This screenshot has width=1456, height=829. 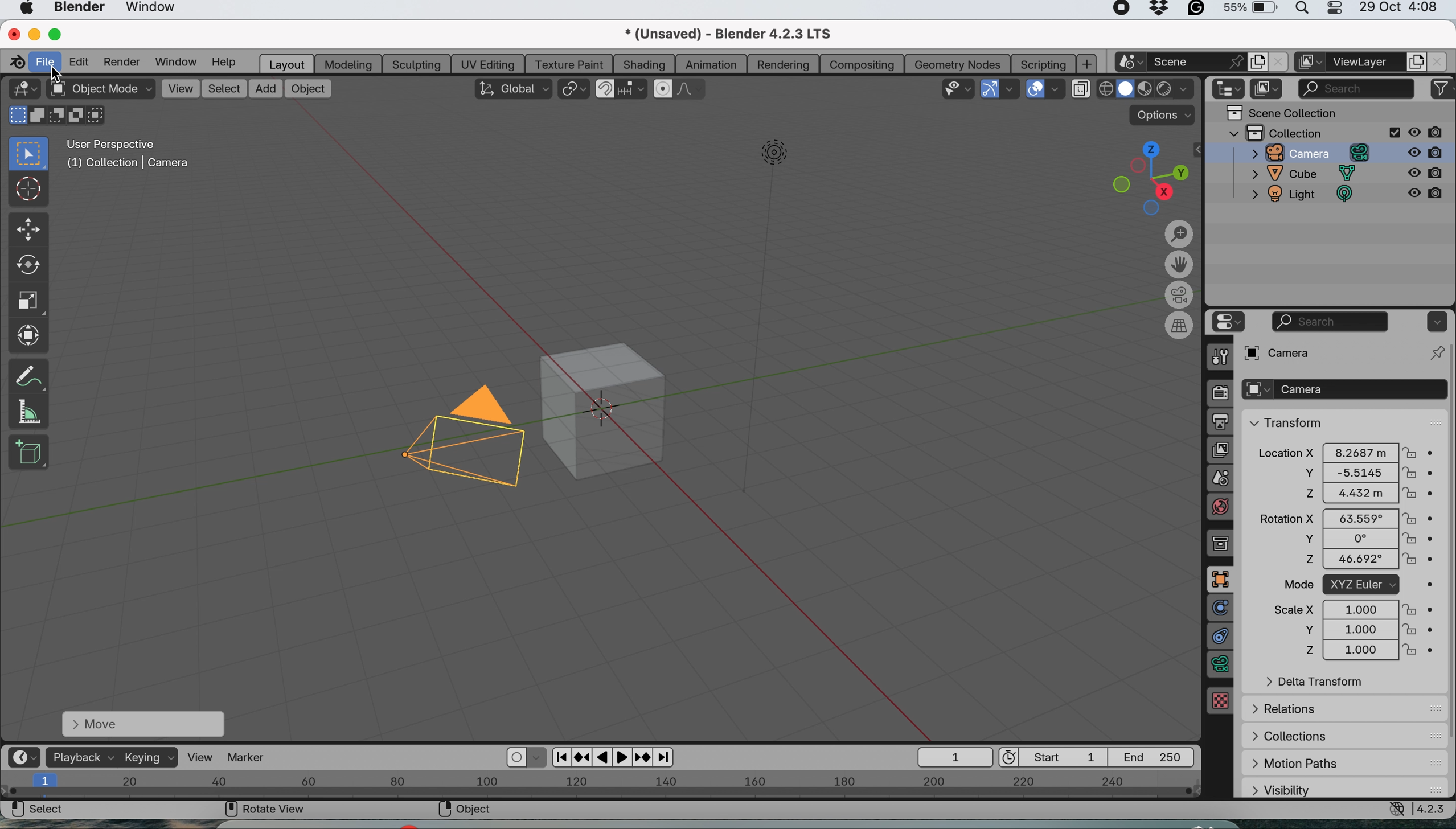 What do you see at coordinates (1196, 61) in the screenshot?
I see `scene` at bounding box center [1196, 61].